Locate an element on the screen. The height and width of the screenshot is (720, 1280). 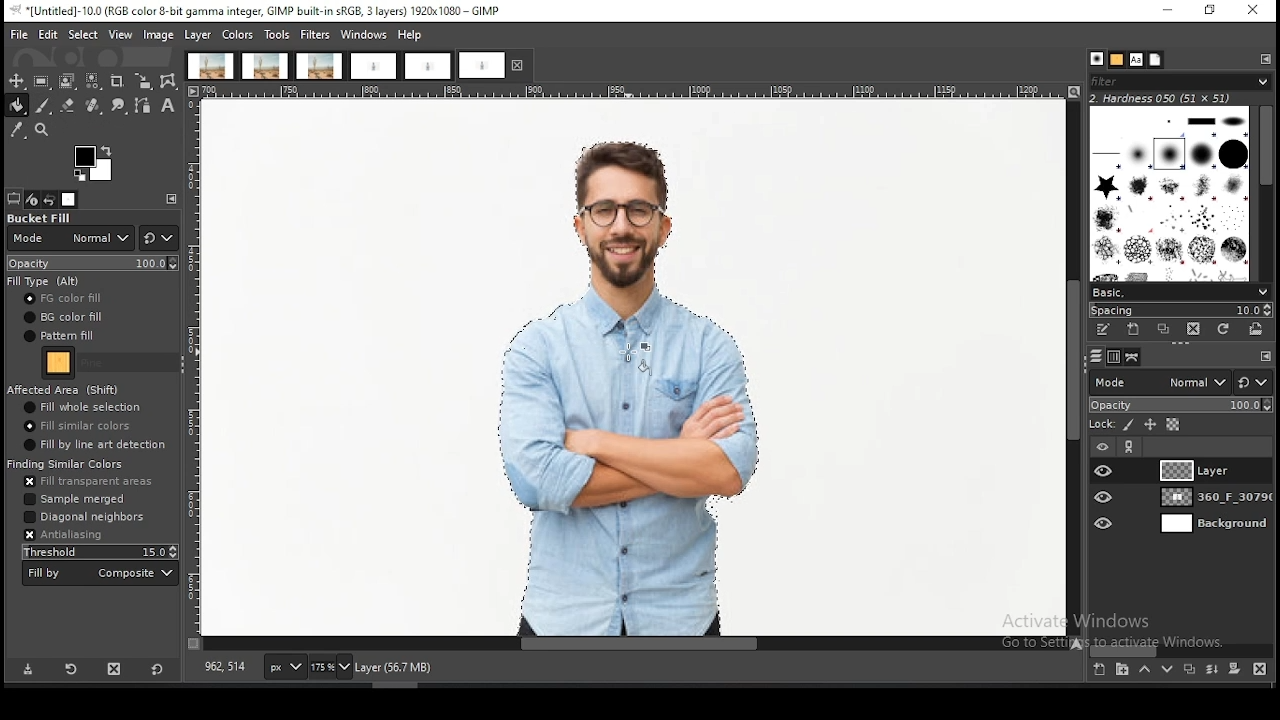
scale is located at coordinates (194, 368).